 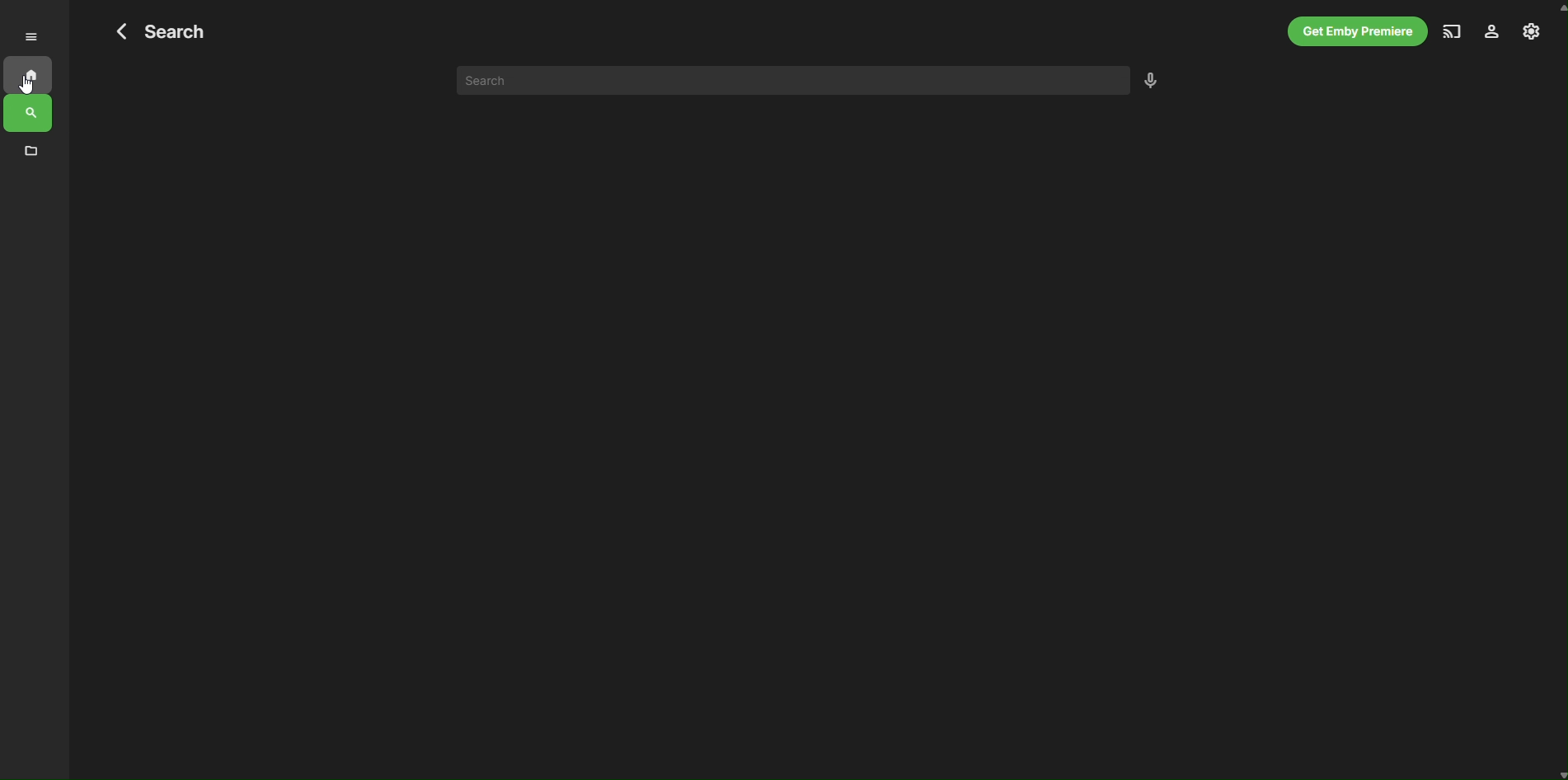 I want to click on Search, so click(x=162, y=31).